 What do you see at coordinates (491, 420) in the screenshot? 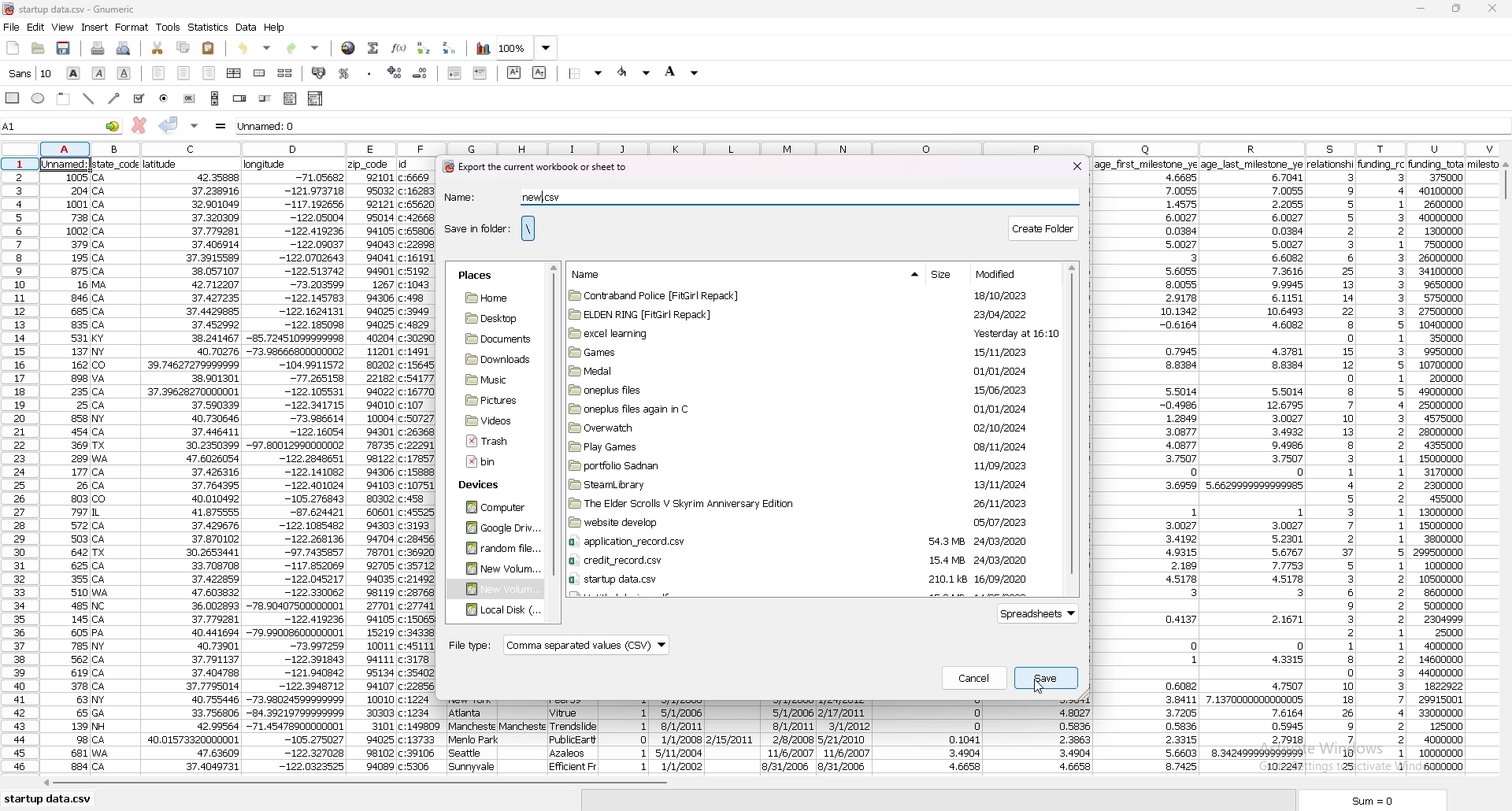
I see `folder` at bounding box center [491, 420].